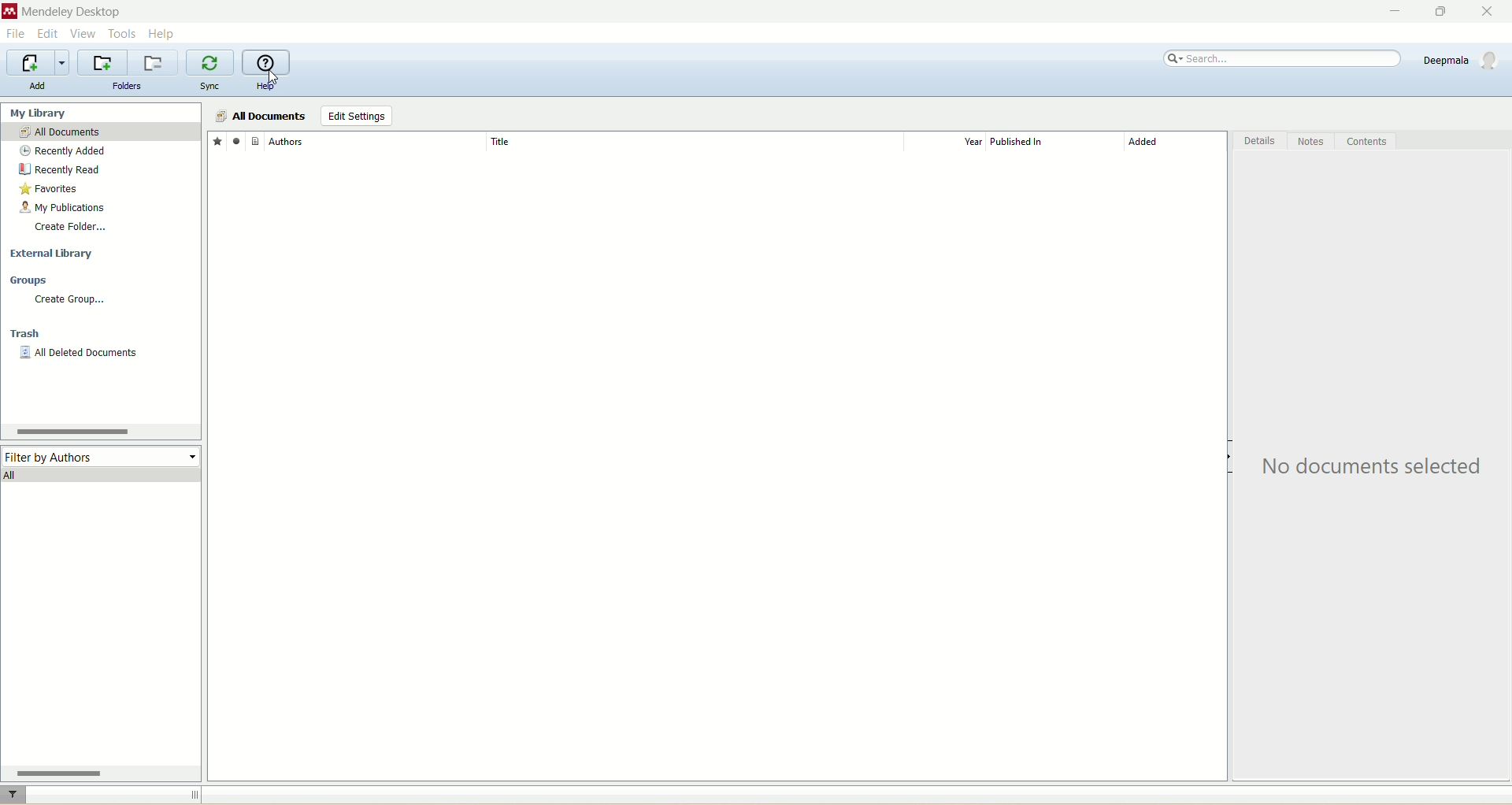 The width and height of the screenshot is (1512, 805). Describe the element at coordinates (1367, 469) in the screenshot. I see `text` at that location.